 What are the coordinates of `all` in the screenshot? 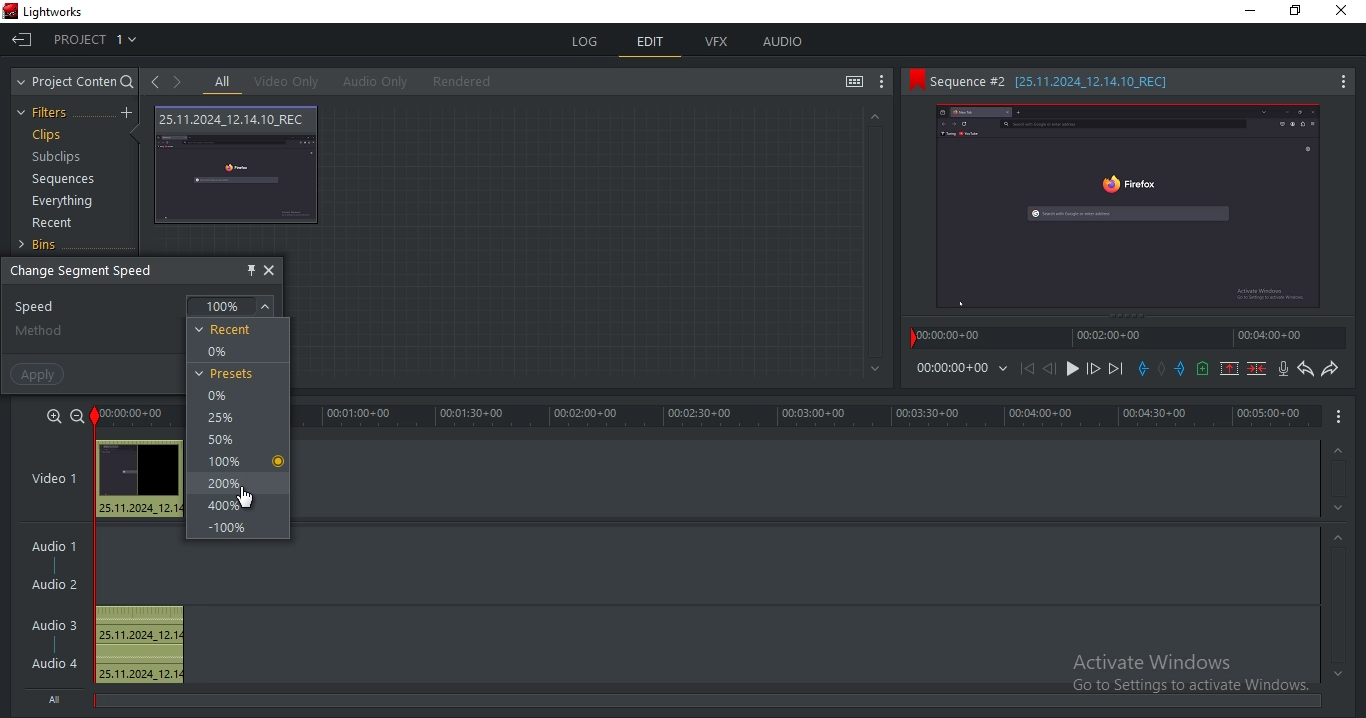 It's located at (222, 83).